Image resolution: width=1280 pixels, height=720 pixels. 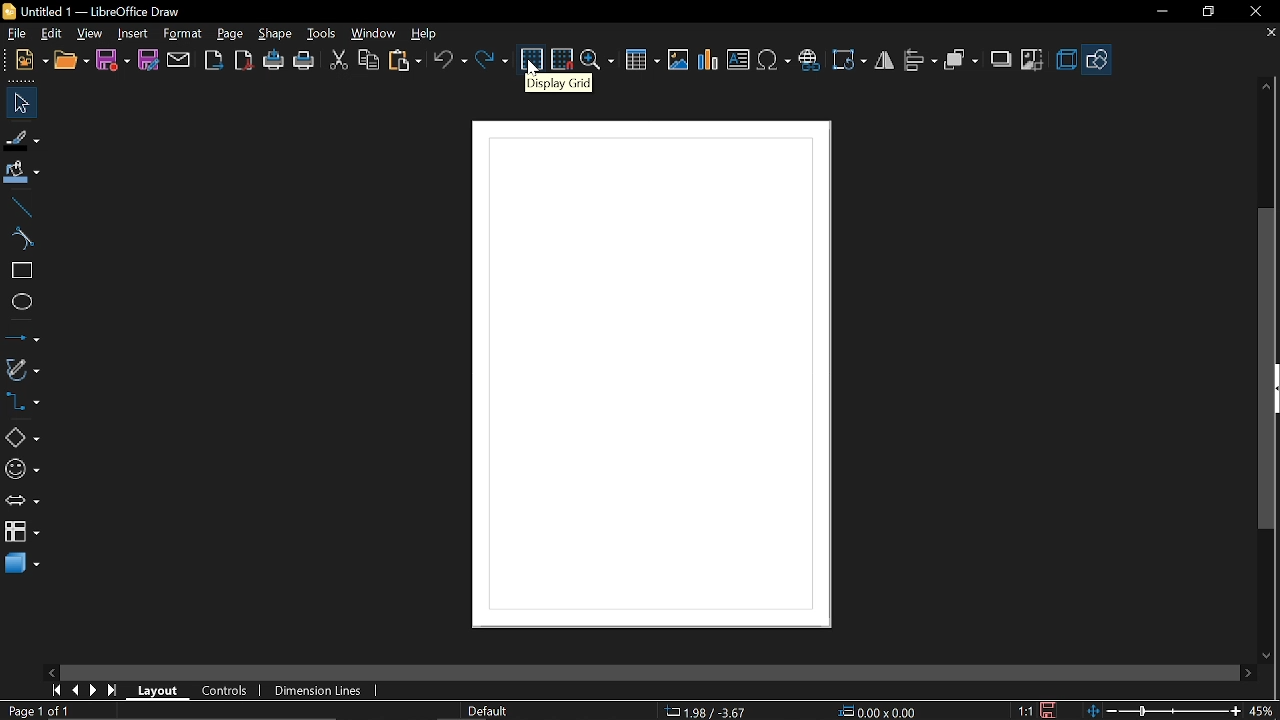 I want to click on snap to grid, so click(x=563, y=58).